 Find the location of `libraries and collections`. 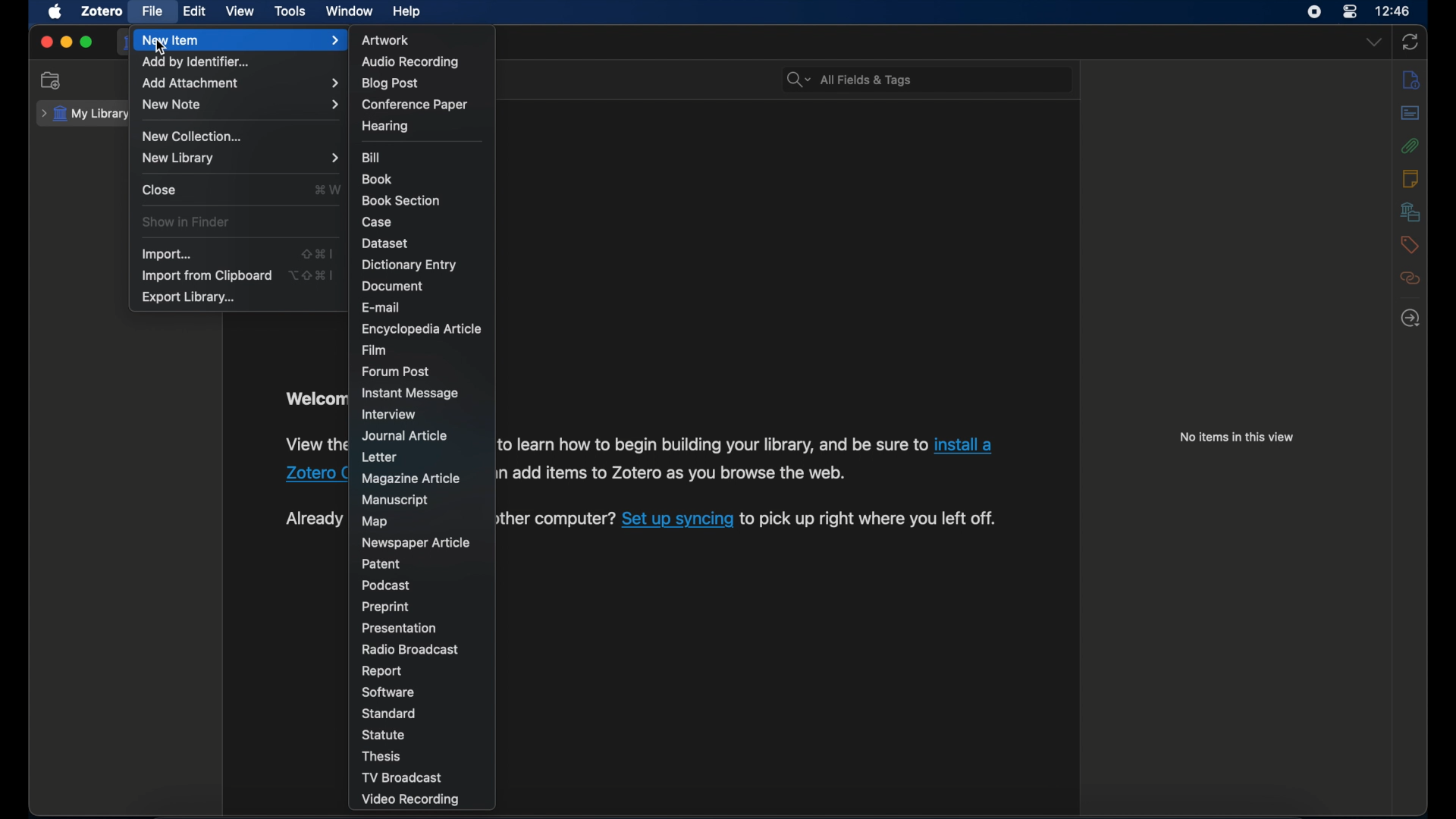

libraries and collections is located at coordinates (1410, 212).